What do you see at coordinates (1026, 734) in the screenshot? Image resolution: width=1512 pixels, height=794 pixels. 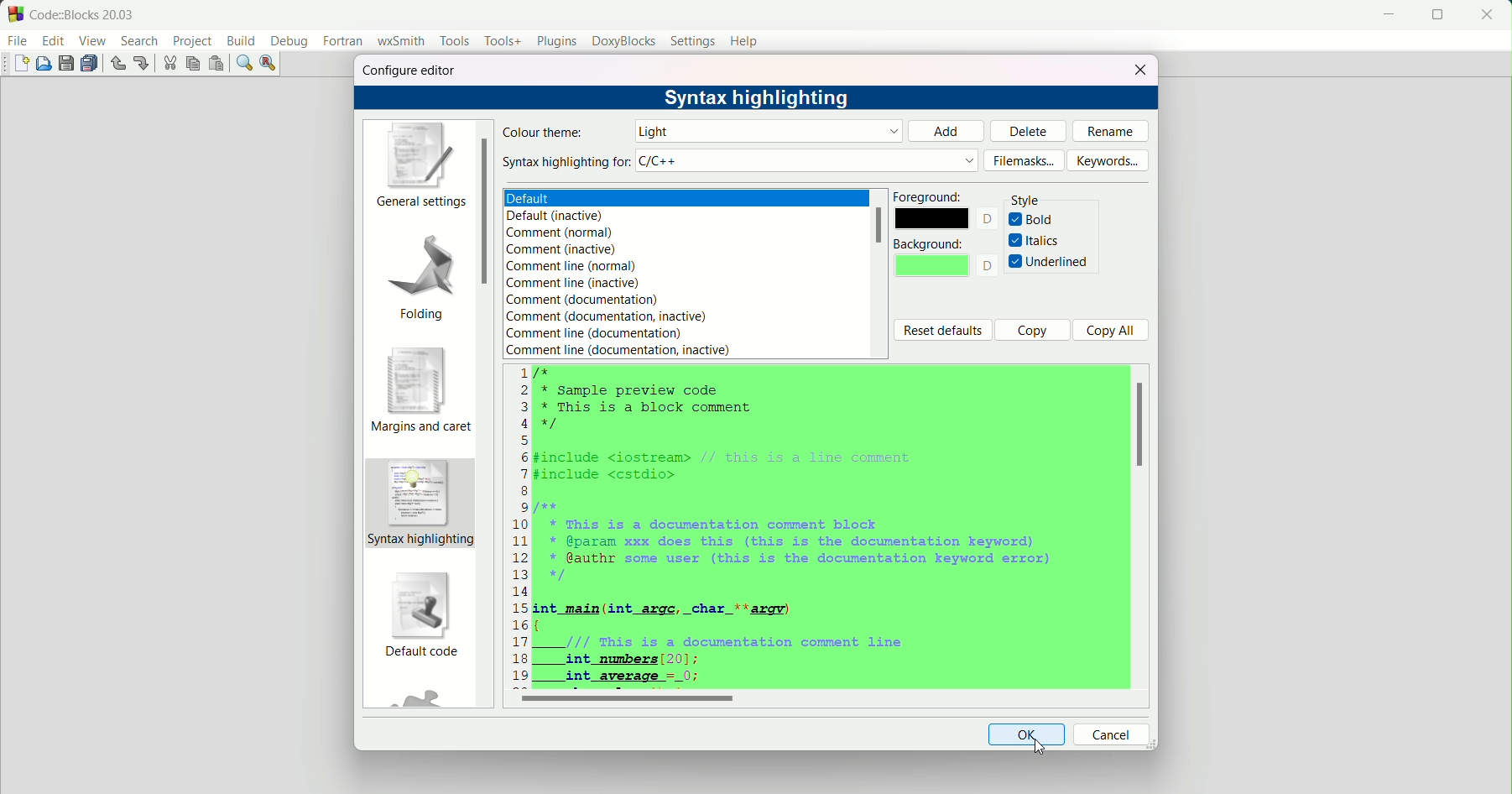 I see `ok` at bounding box center [1026, 734].